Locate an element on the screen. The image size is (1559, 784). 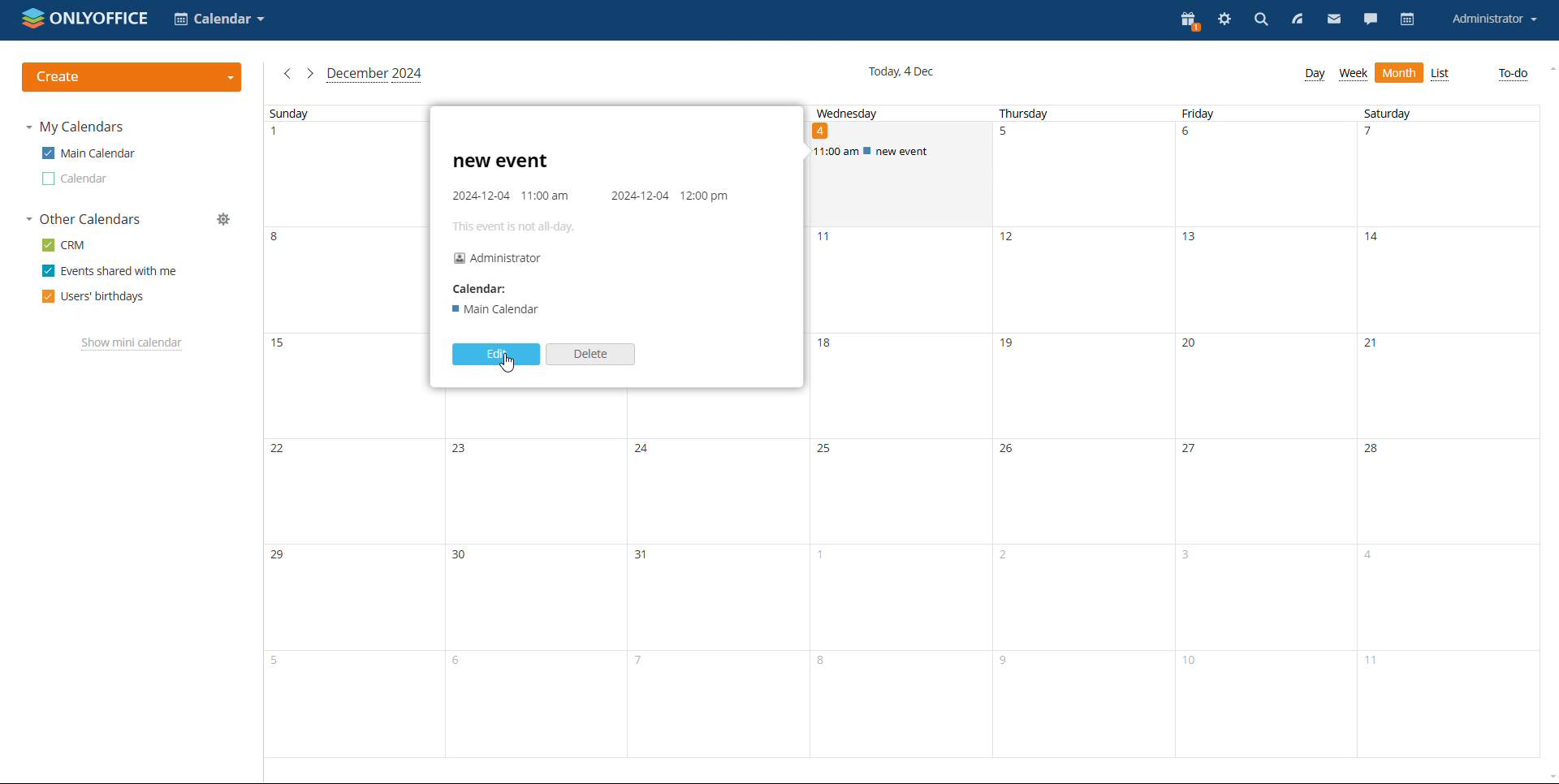
monday is located at coordinates (533, 576).